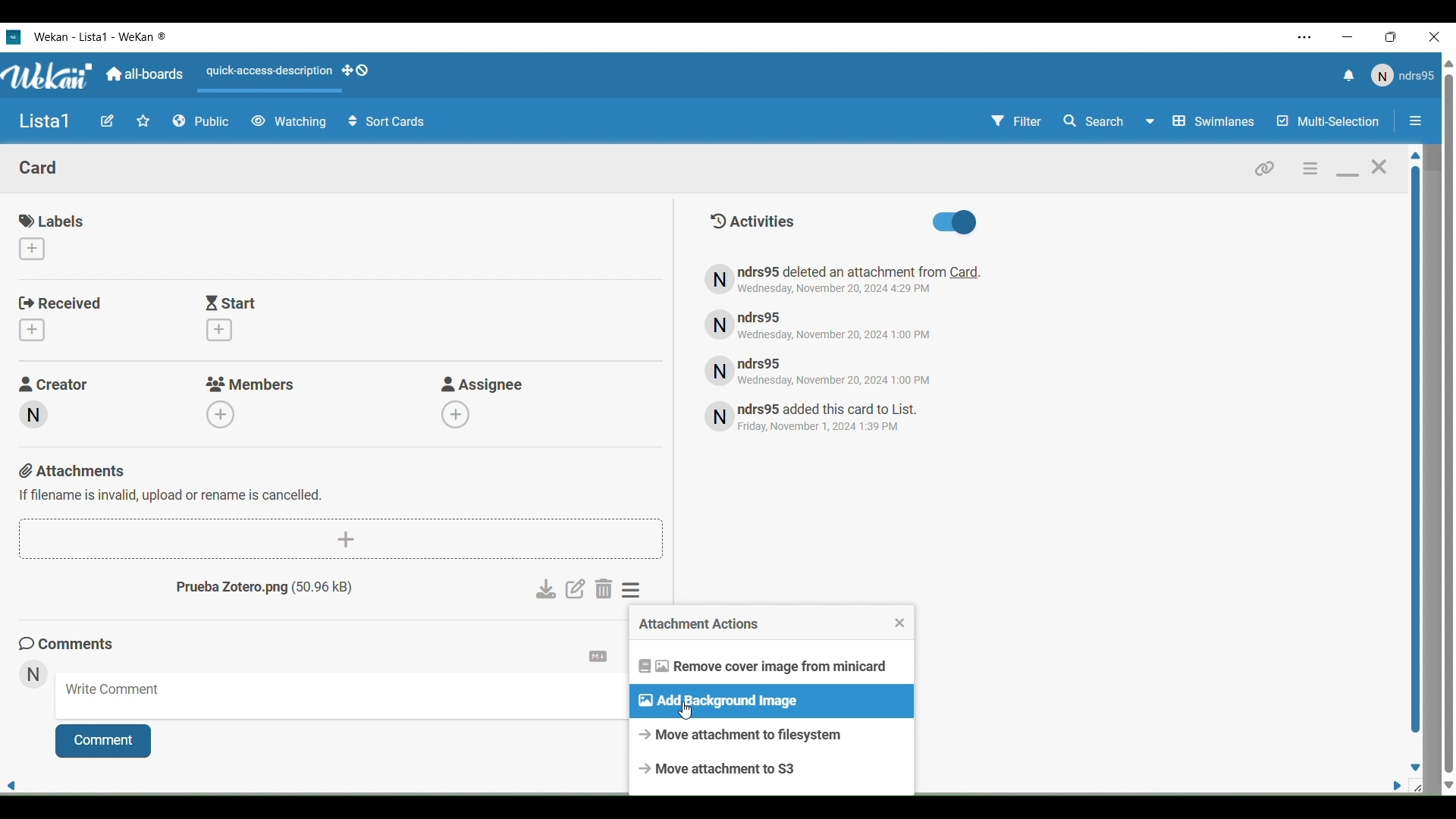  Describe the element at coordinates (56, 382) in the screenshot. I see `Creator` at that location.